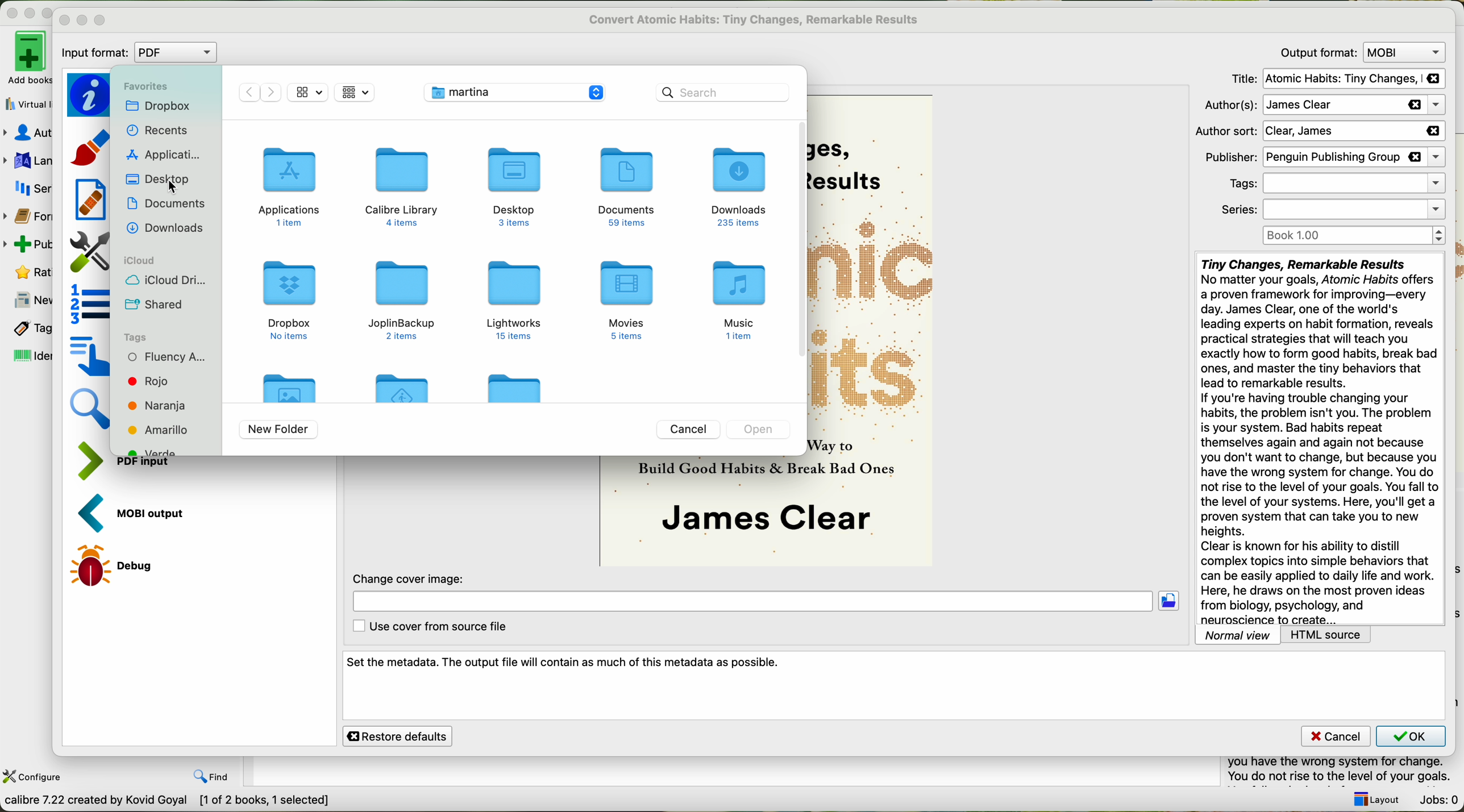 The image size is (1464, 812). What do you see at coordinates (89, 252) in the screenshot?
I see `page setup` at bounding box center [89, 252].